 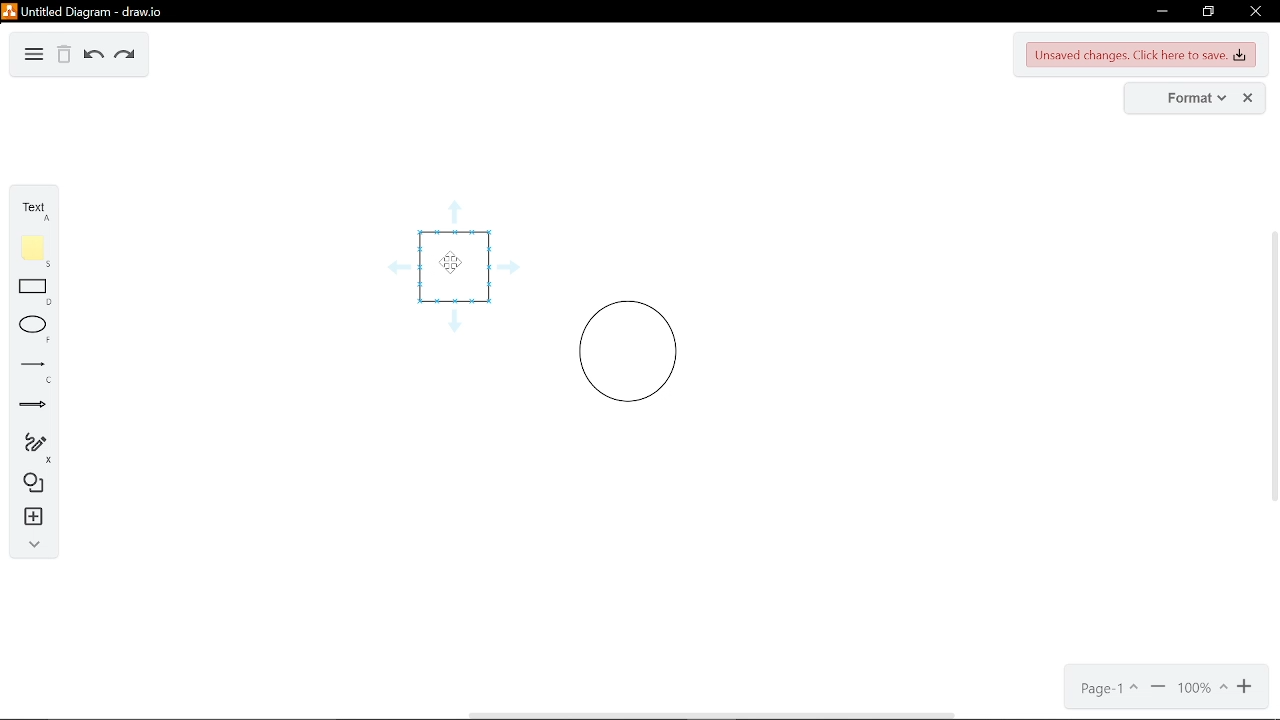 What do you see at coordinates (30, 517) in the screenshot?
I see `insert` at bounding box center [30, 517].